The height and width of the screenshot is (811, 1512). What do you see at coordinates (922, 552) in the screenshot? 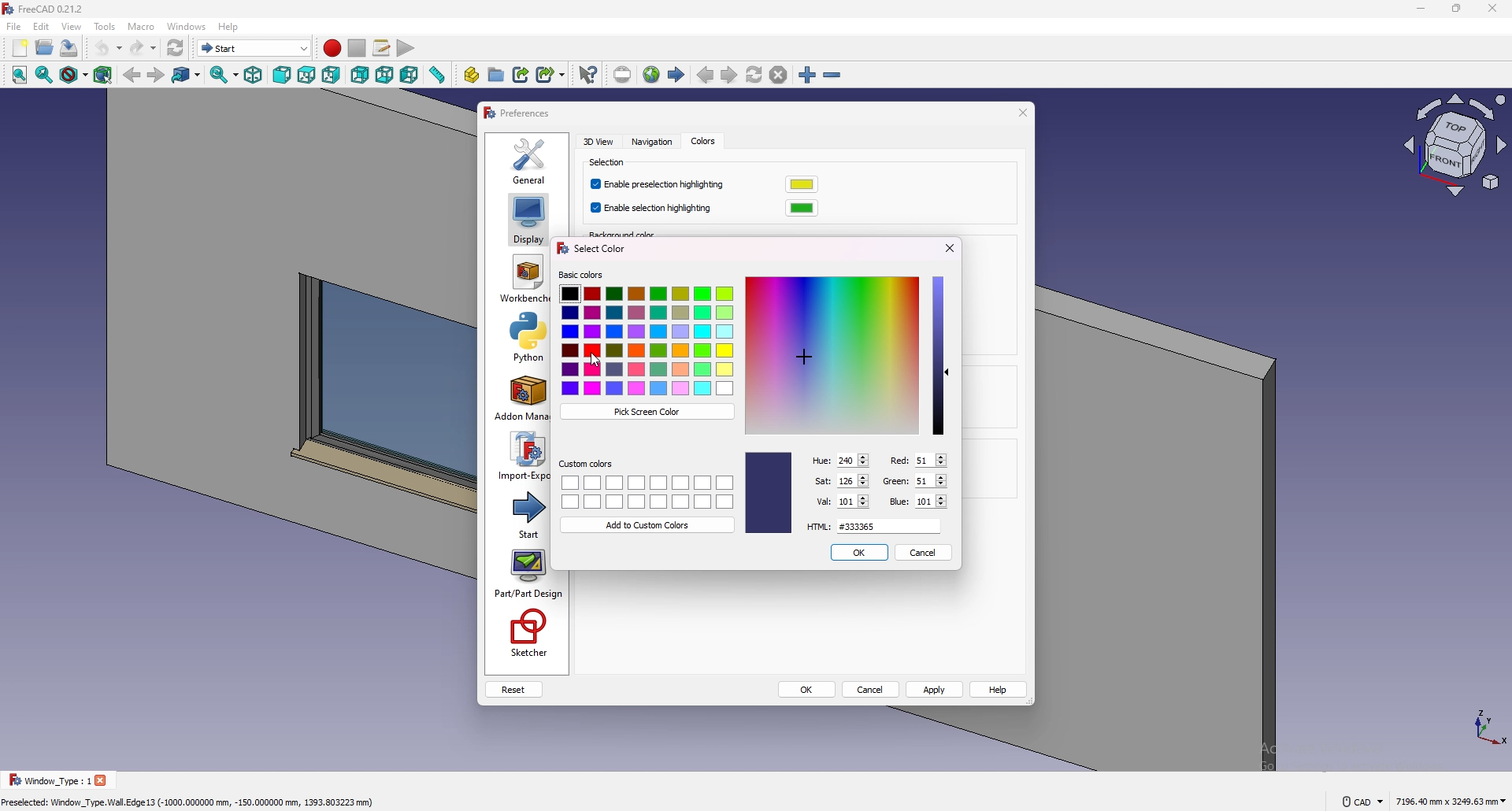
I see `Cancel` at bounding box center [922, 552].